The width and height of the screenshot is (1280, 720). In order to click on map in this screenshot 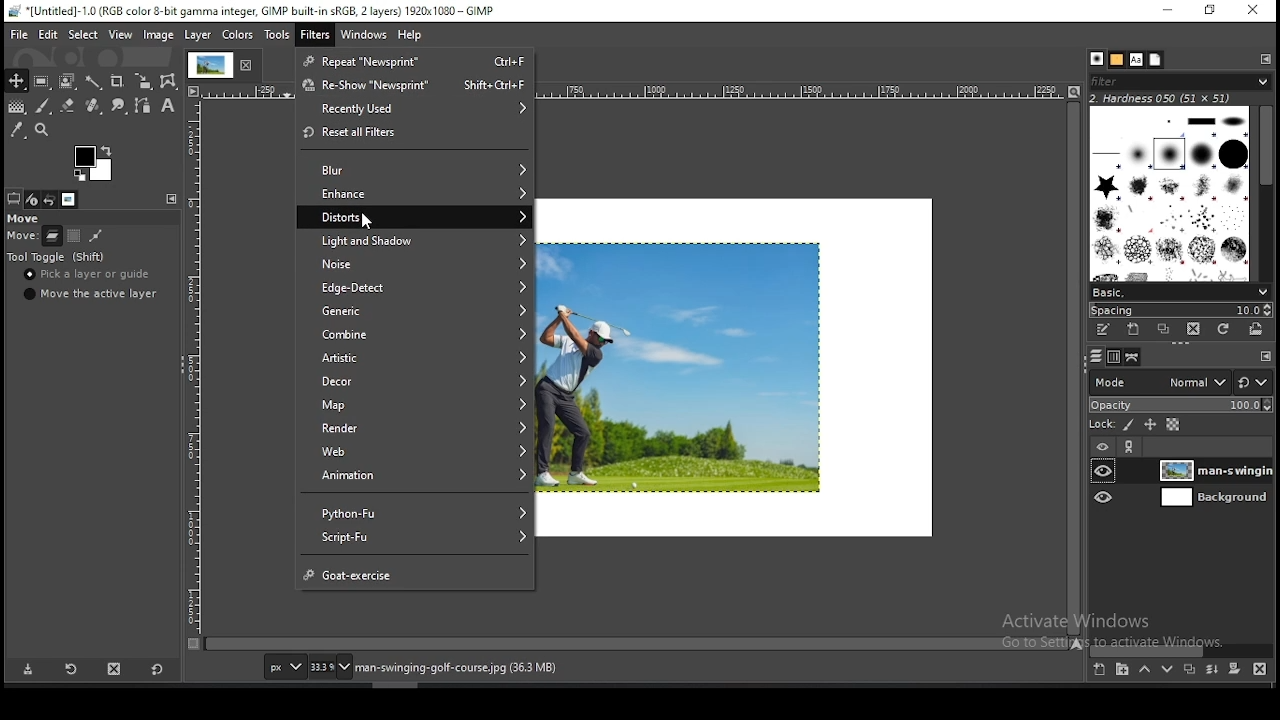, I will do `click(414, 405)`.